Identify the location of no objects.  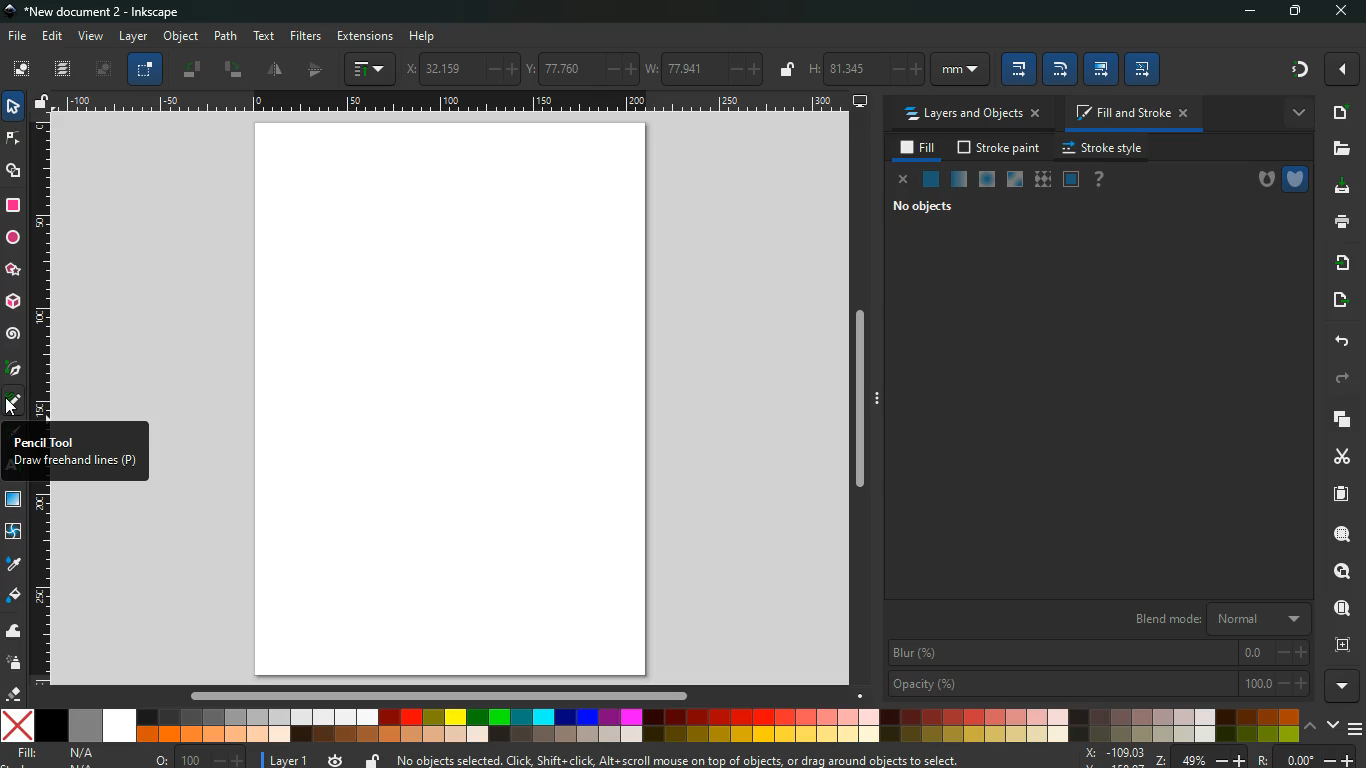
(941, 208).